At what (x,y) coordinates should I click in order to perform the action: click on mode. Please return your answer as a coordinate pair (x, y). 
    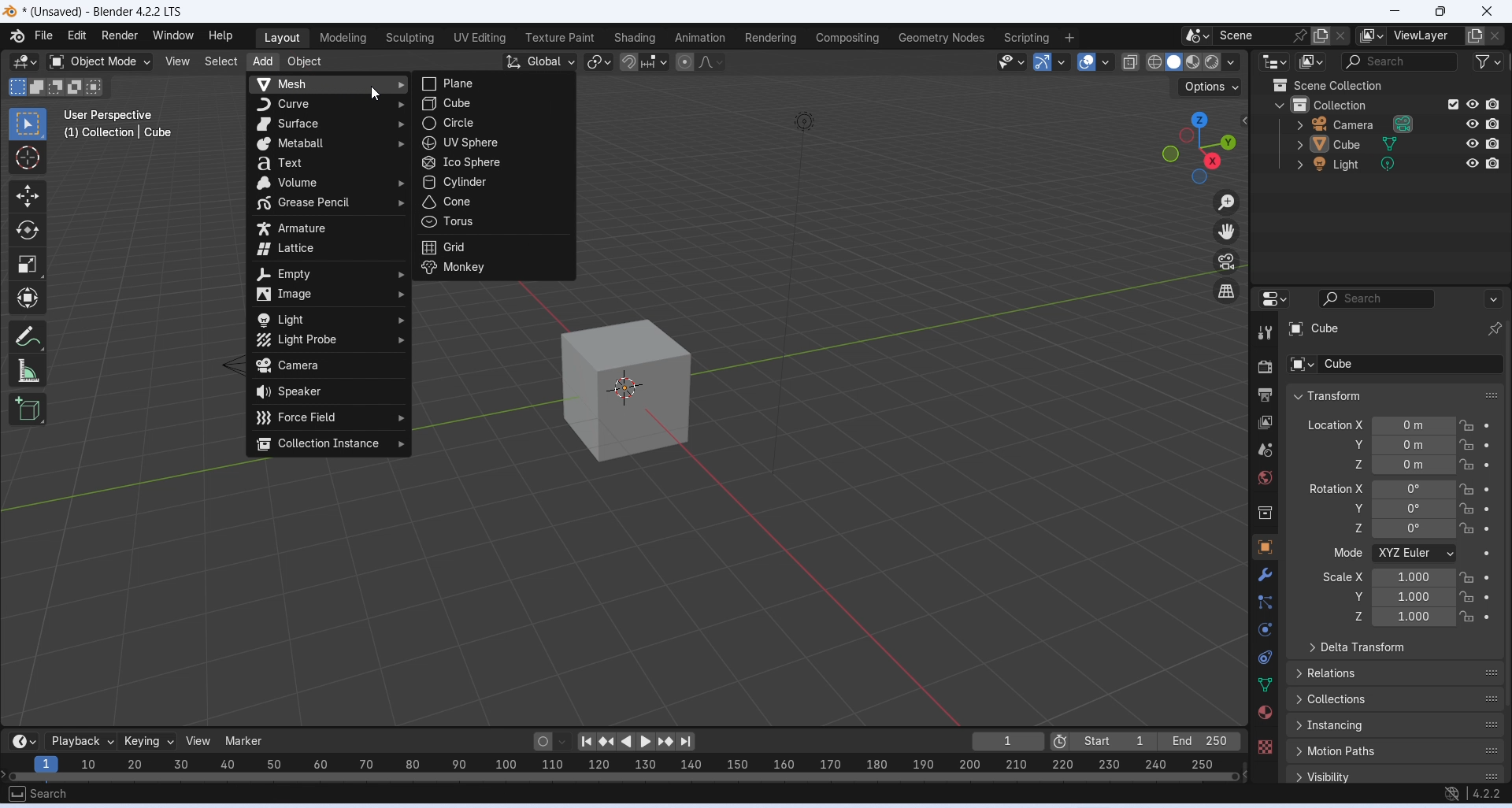
    Looking at the image, I should click on (1346, 554).